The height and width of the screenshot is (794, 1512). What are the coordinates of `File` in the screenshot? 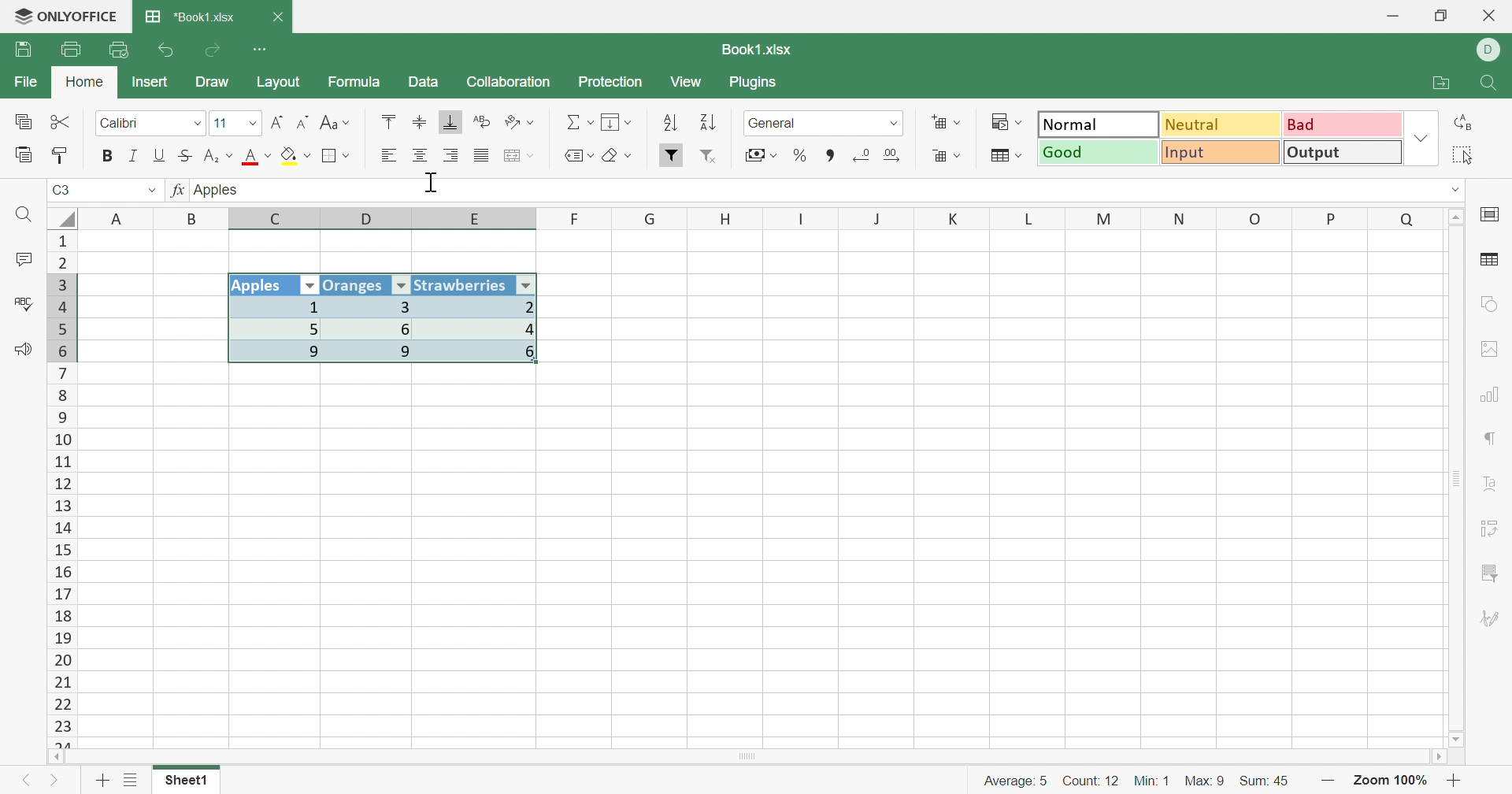 It's located at (22, 83).